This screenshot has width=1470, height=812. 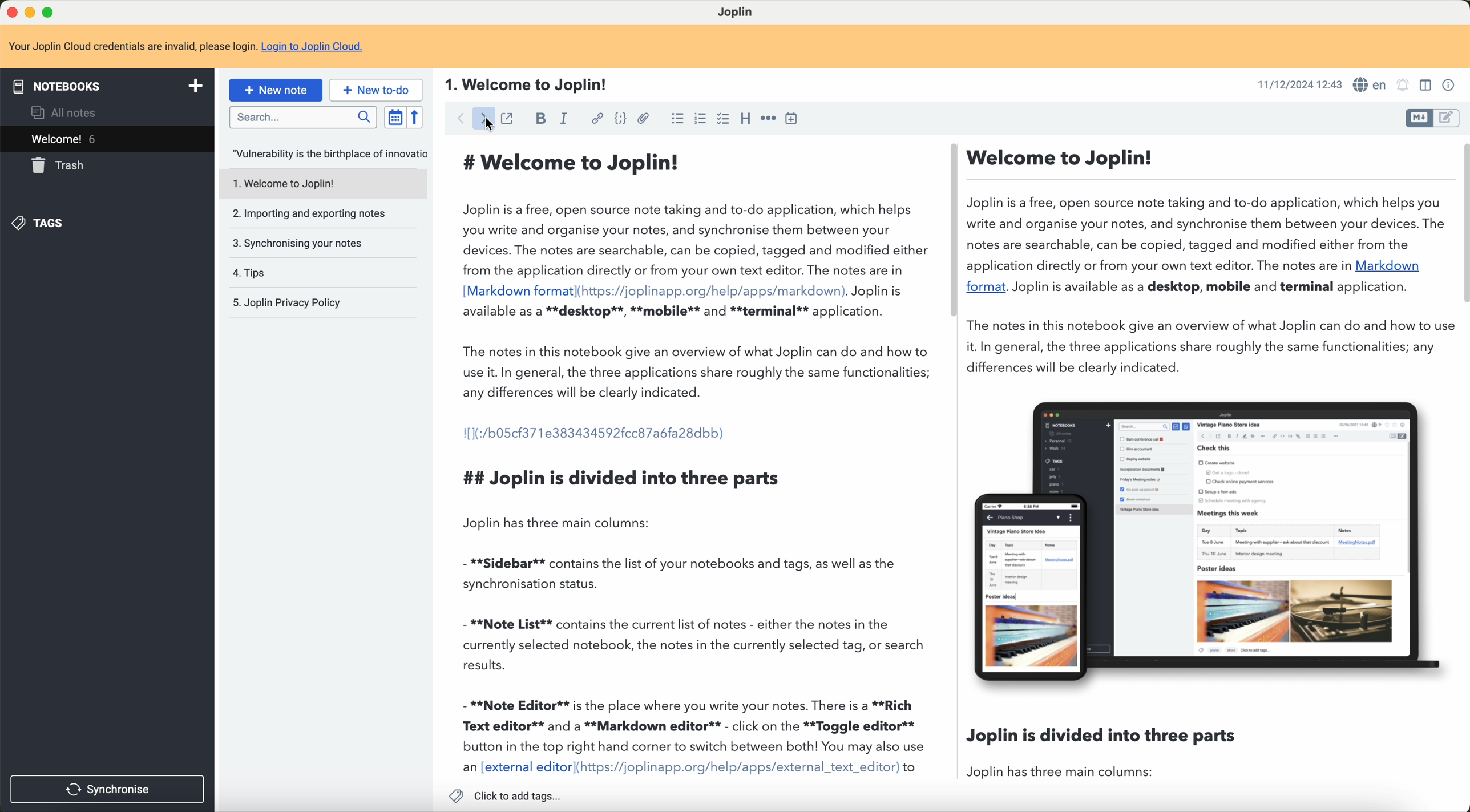 What do you see at coordinates (1059, 155) in the screenshot?
I see `Welcome to Joplin!` at bounding box center [1059, 155].